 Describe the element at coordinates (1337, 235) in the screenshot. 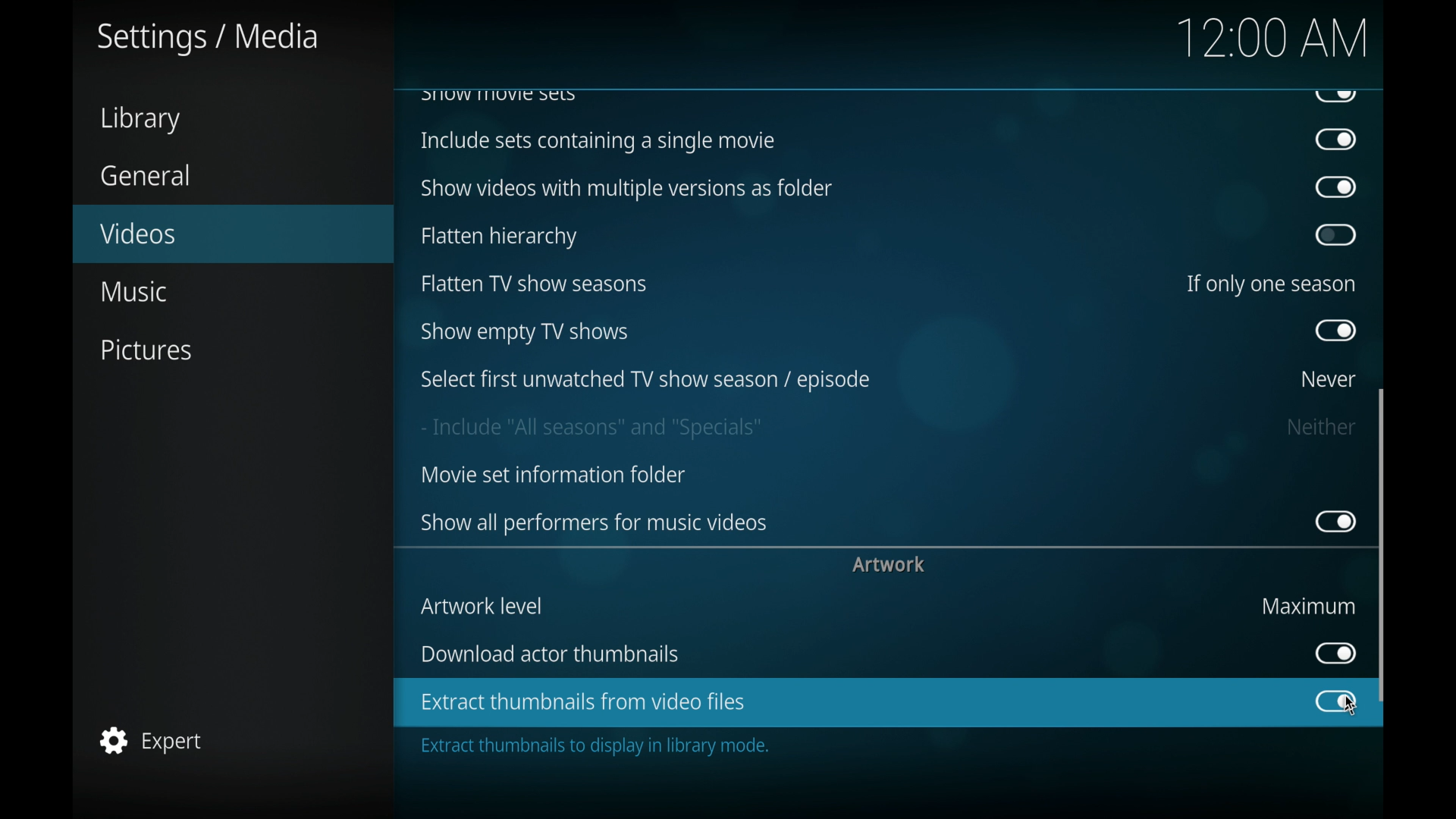

I see `toggle button` at that location.